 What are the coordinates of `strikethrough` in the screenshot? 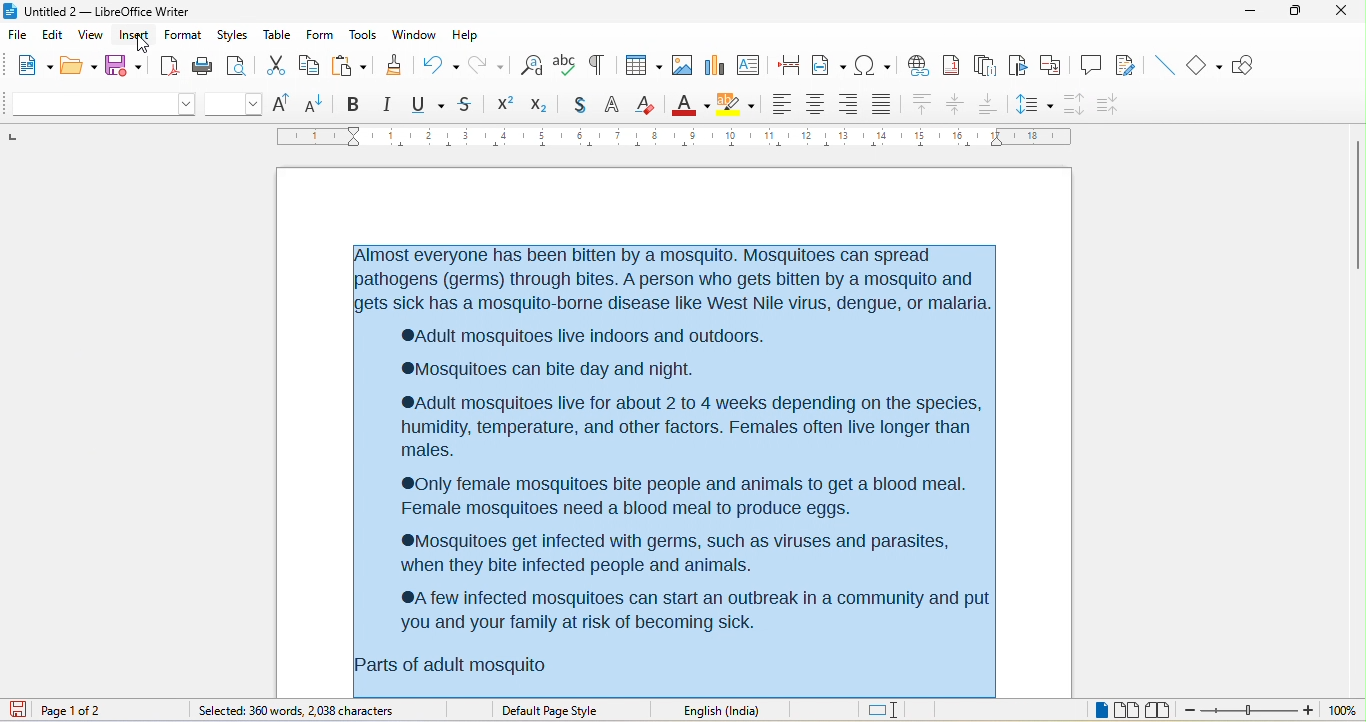 It's located at (471, 104).